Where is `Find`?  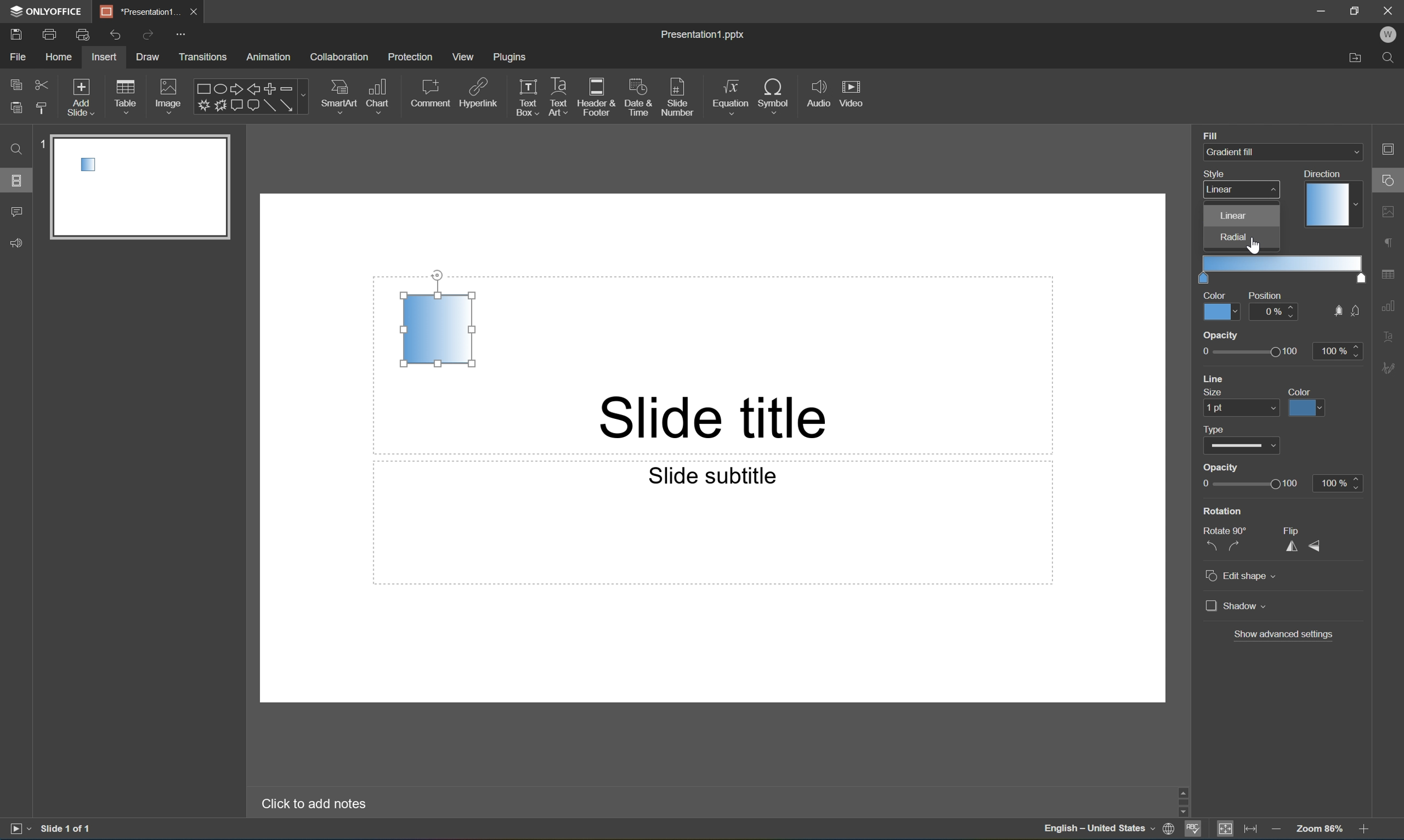
Find is located at coordinates (16, 149).